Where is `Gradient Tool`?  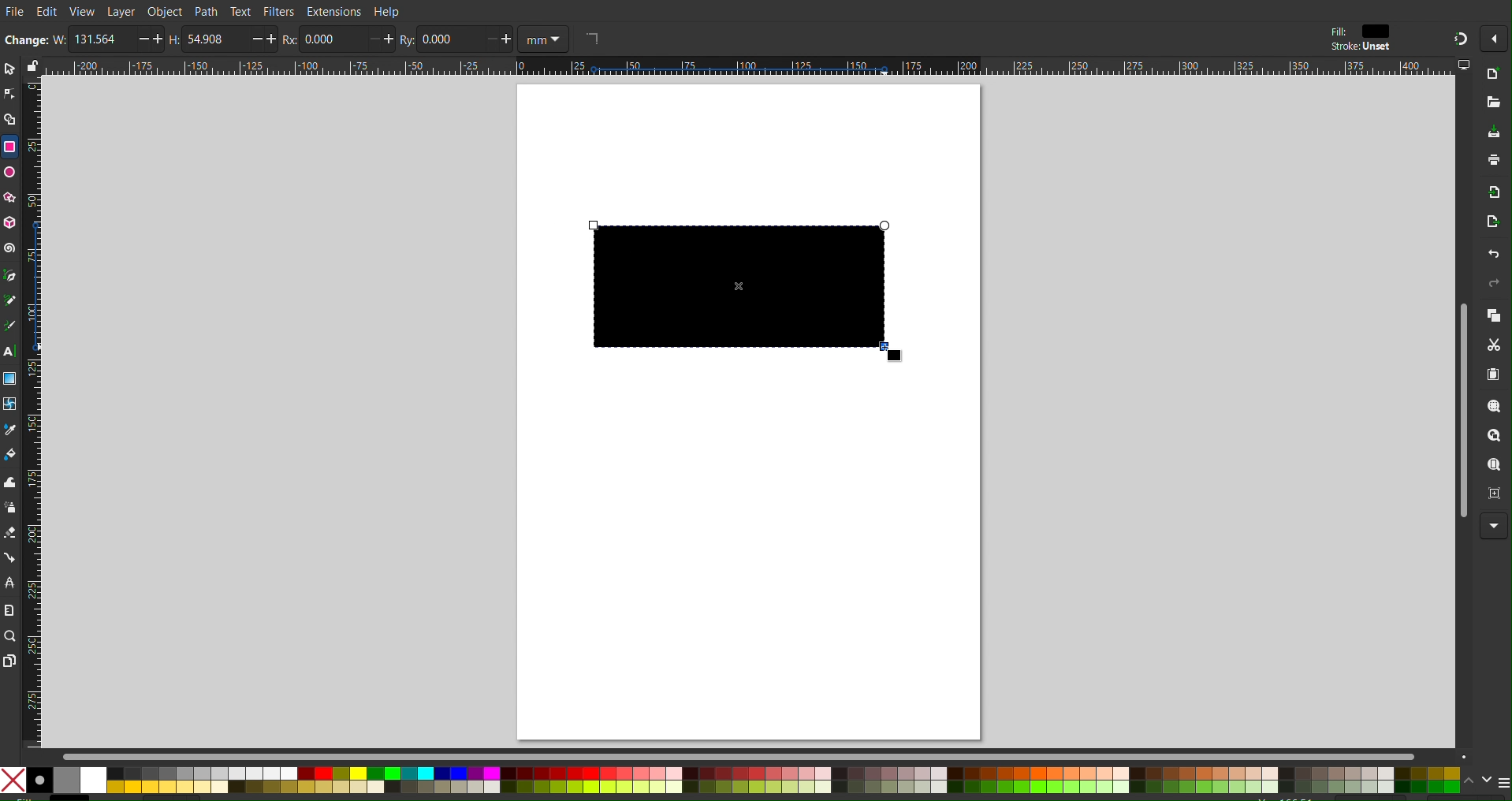 Gradient Tool is located at coordinates (9, 378).